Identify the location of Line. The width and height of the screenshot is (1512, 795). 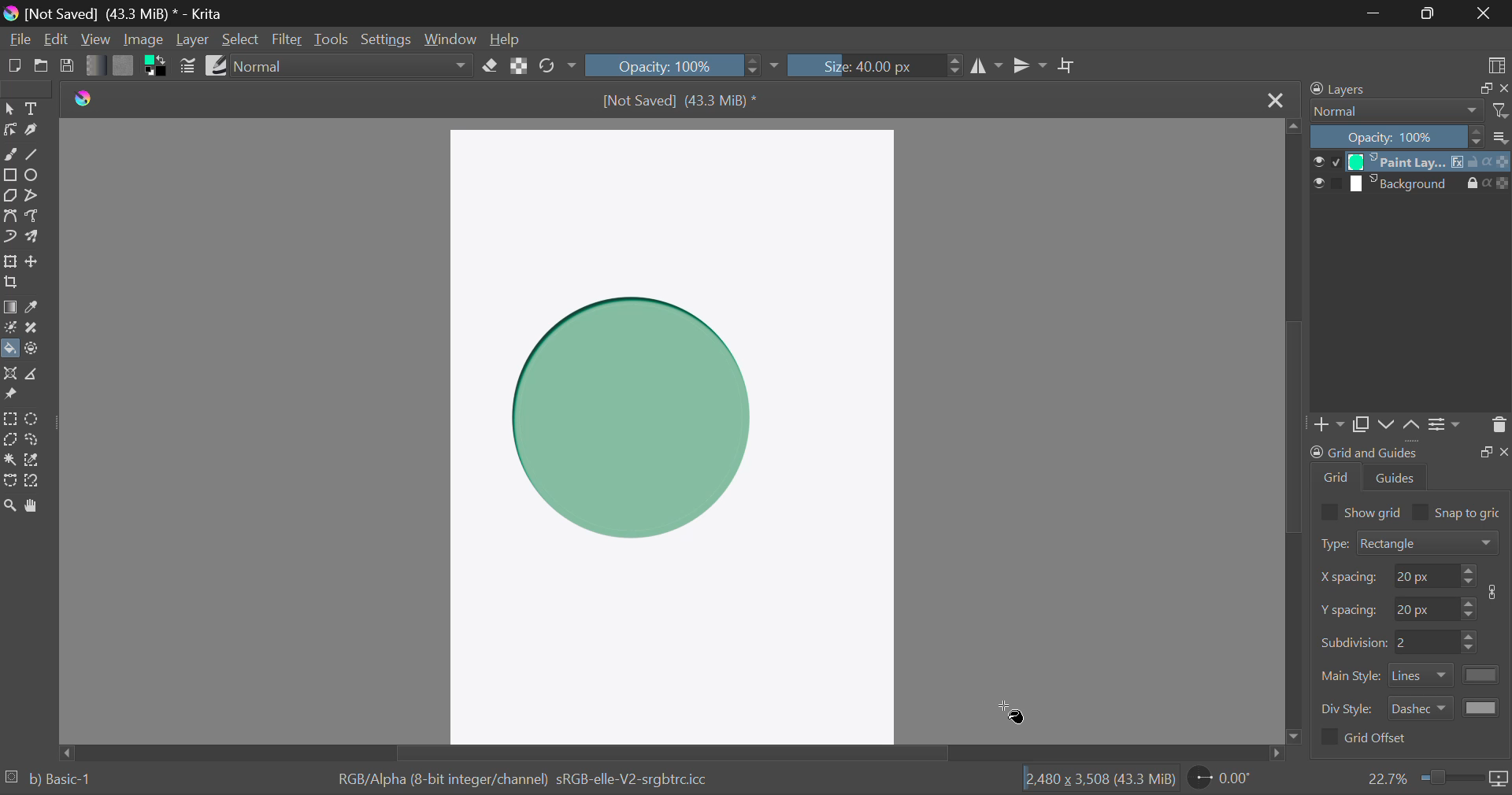
(32, 152).